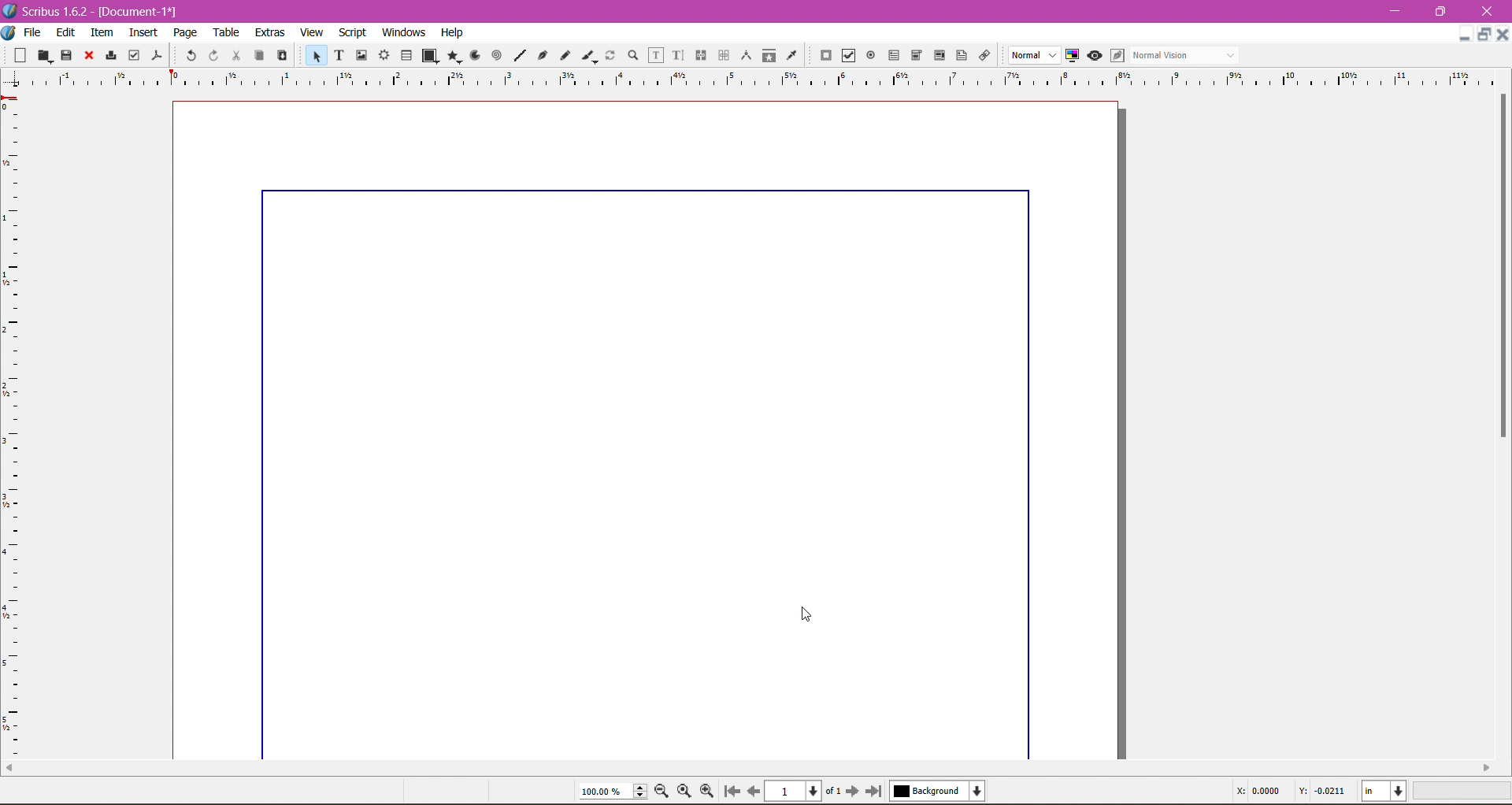  Describe the element at coordinates (544, 56) in the screenshot. I see `Bezier Curve` at that location.